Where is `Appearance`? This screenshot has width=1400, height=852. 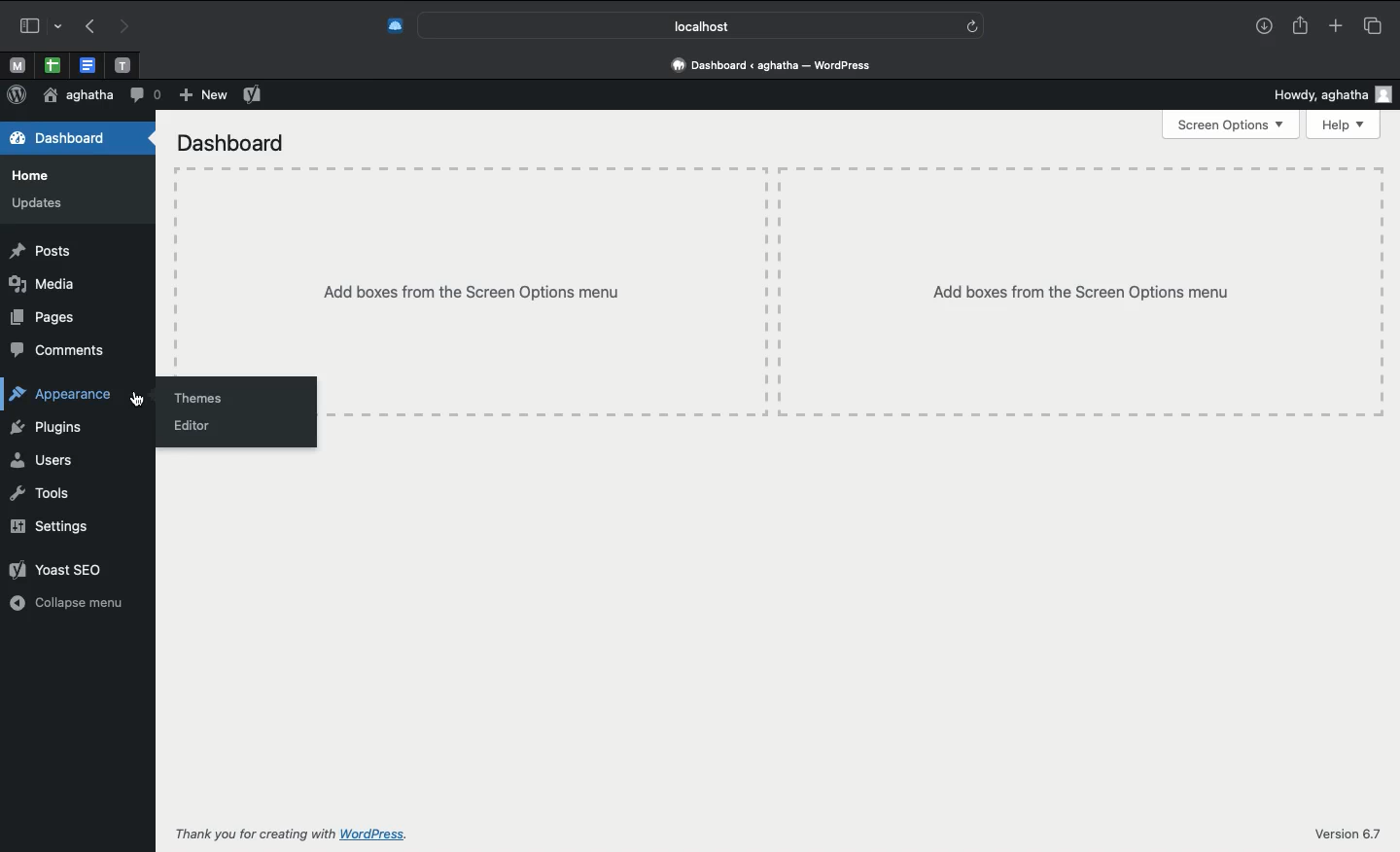 Appearance is located at coordinates (68, 396).